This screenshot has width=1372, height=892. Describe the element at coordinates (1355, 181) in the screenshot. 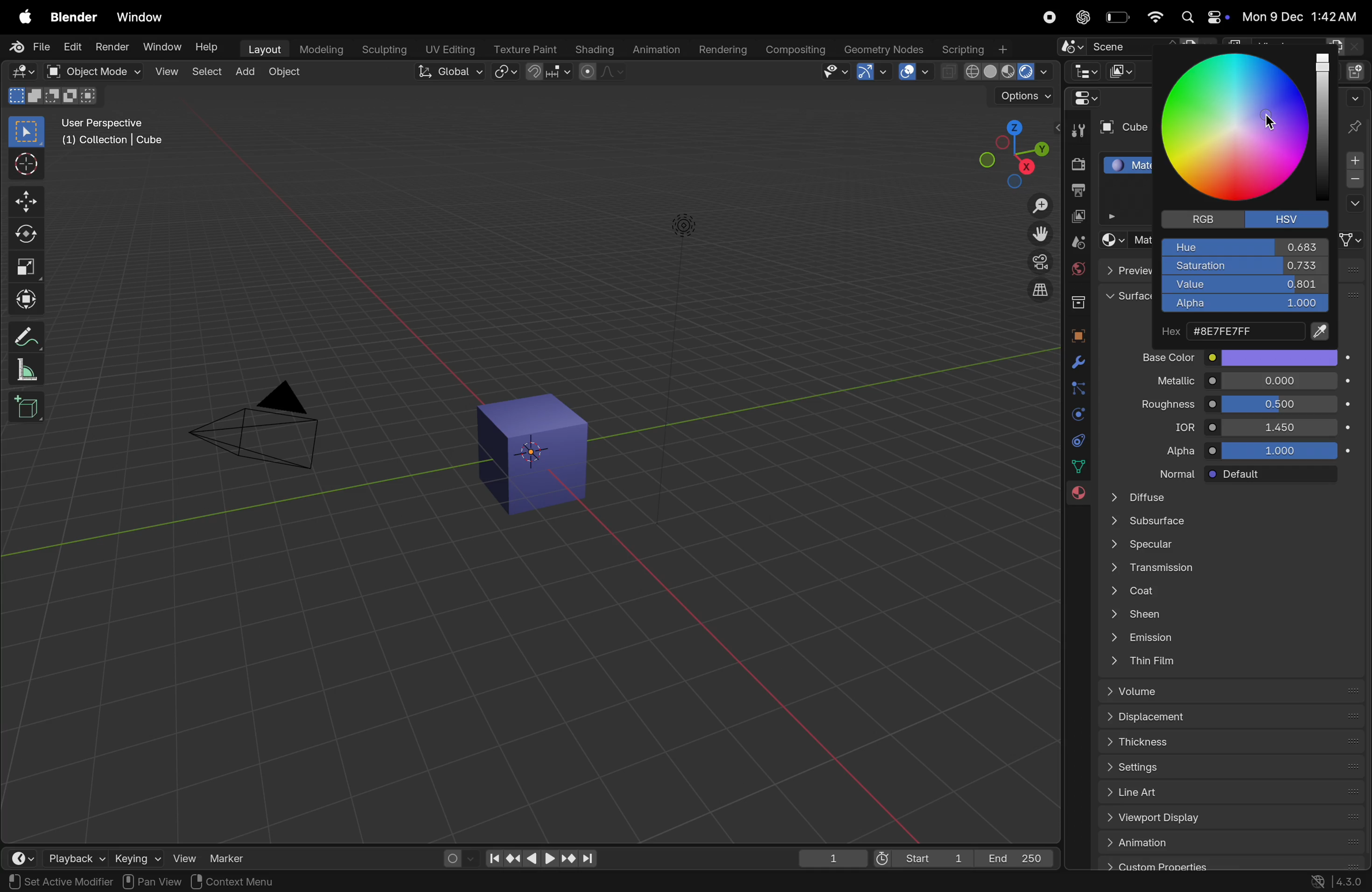

I see `remove material slot` at that location.